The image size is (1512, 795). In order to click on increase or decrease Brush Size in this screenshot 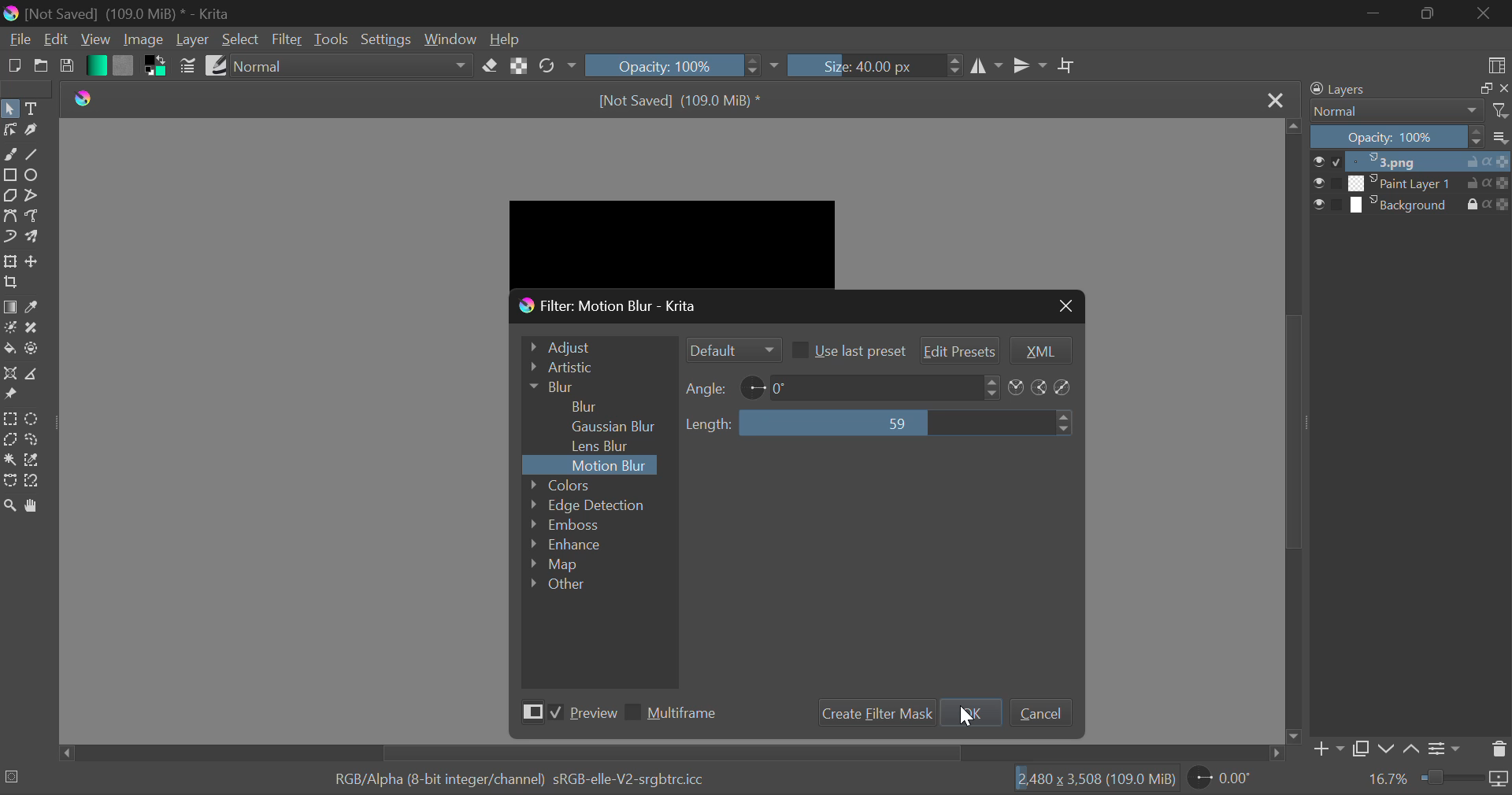, I will do `click(955, 68)`.